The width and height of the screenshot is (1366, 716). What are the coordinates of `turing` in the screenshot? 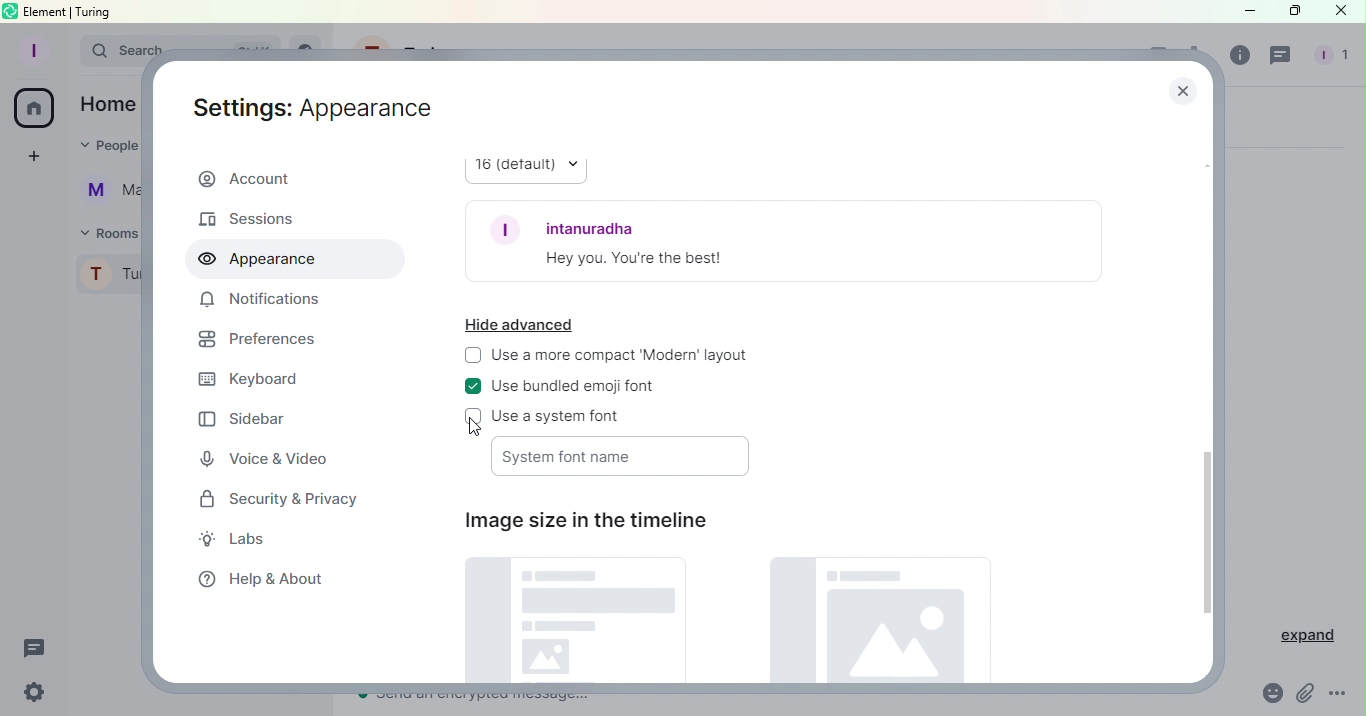 It's located at (97, 12).